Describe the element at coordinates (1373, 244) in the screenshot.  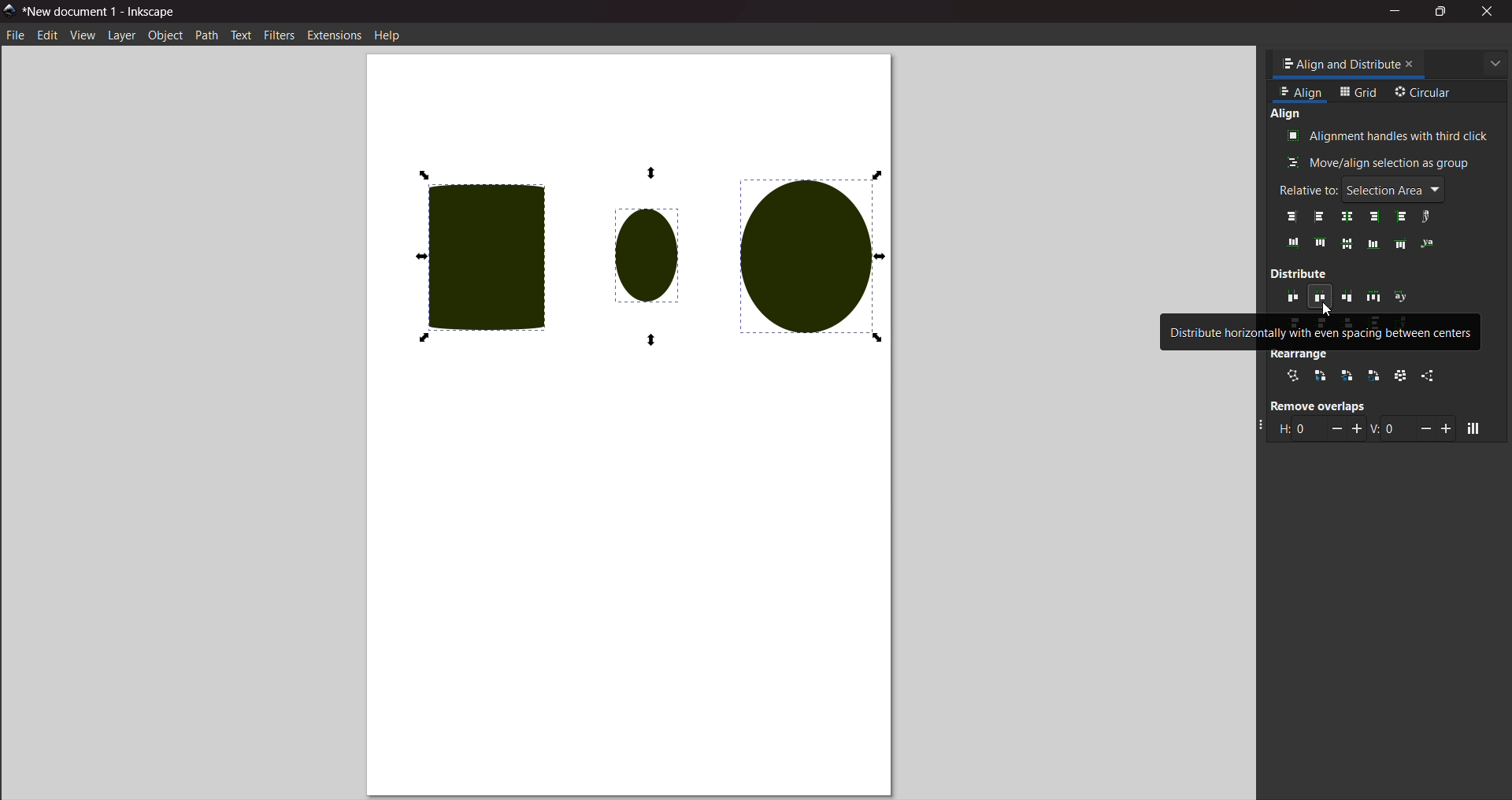
I see `align bottom` at that location.